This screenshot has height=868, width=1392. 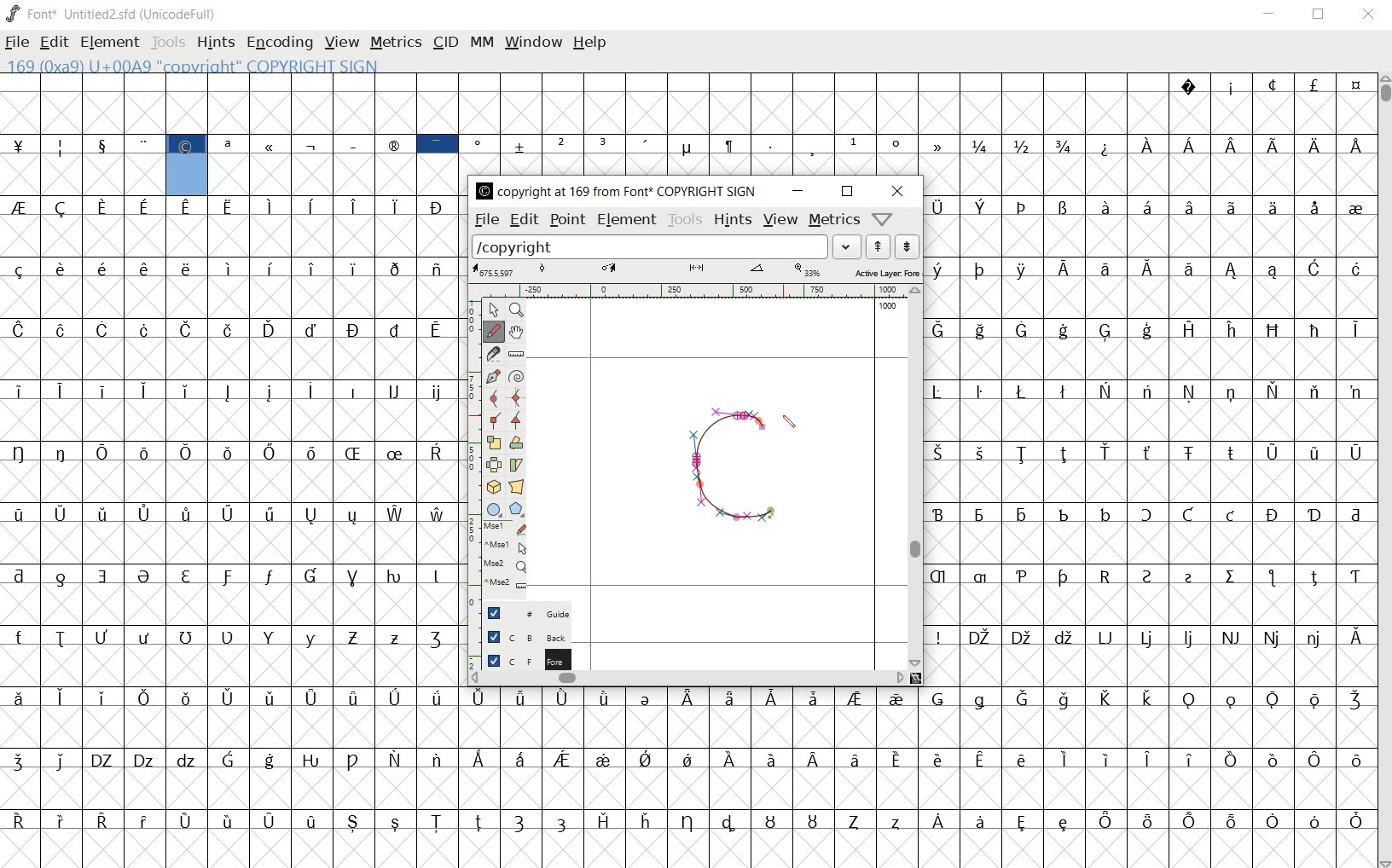 I want to click on close, so click(x=1369, y=14).